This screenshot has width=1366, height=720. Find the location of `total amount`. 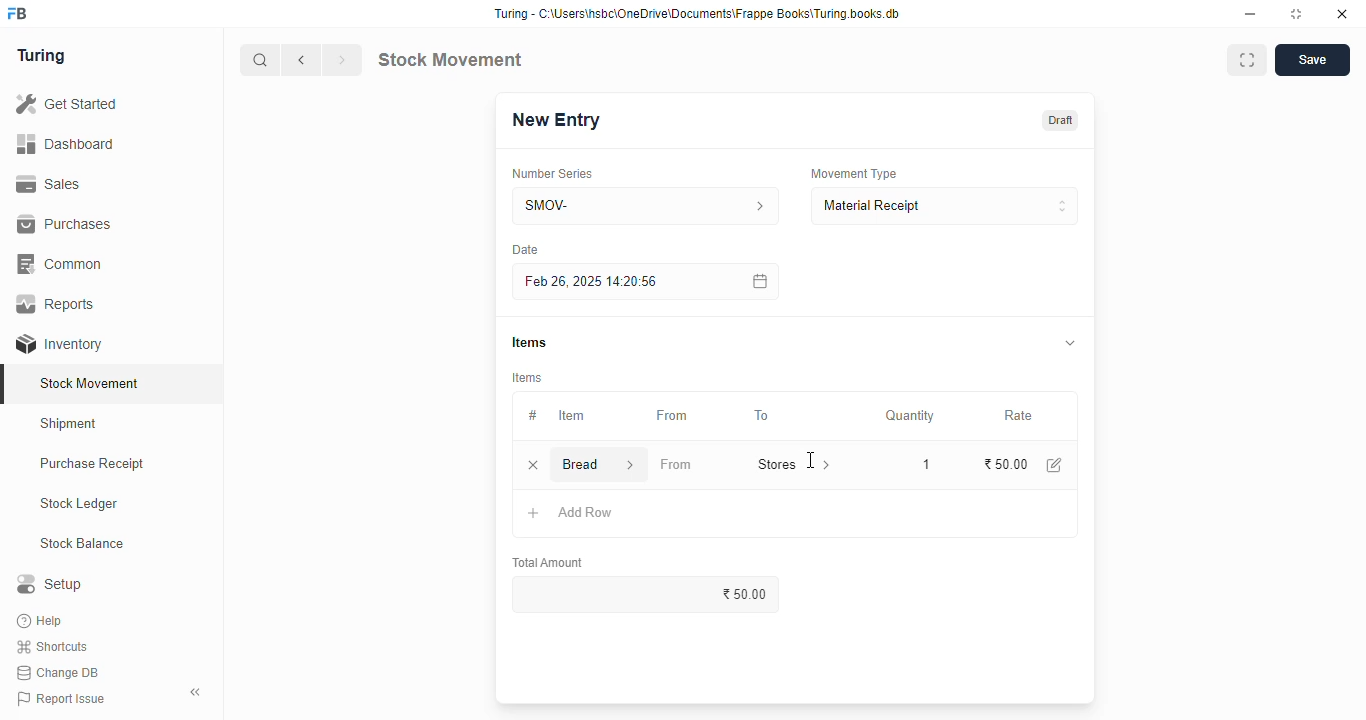

total amount is located at coordinates (549, 563).